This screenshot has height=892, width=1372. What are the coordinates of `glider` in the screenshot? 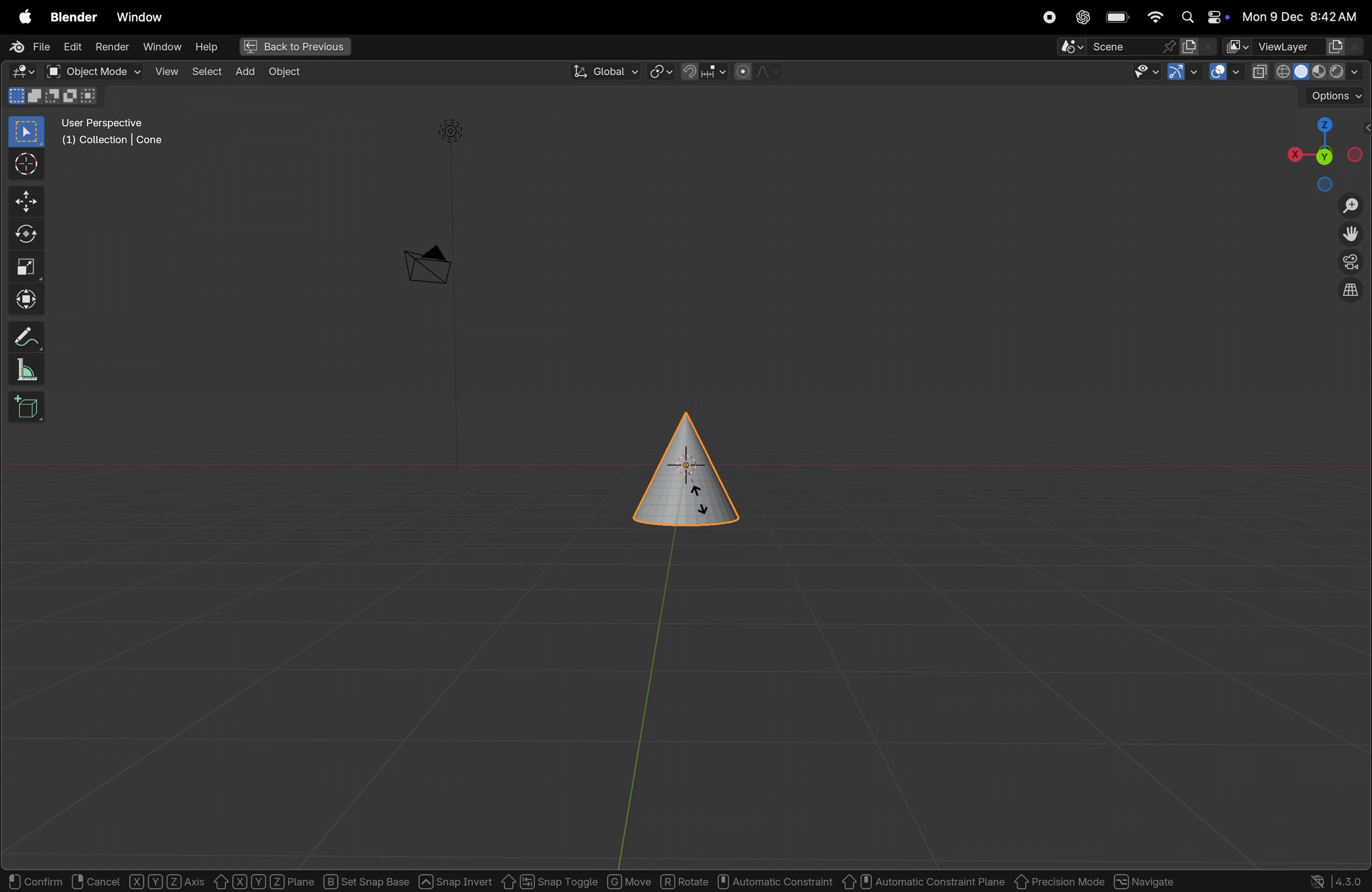 It's located at (704, 499).